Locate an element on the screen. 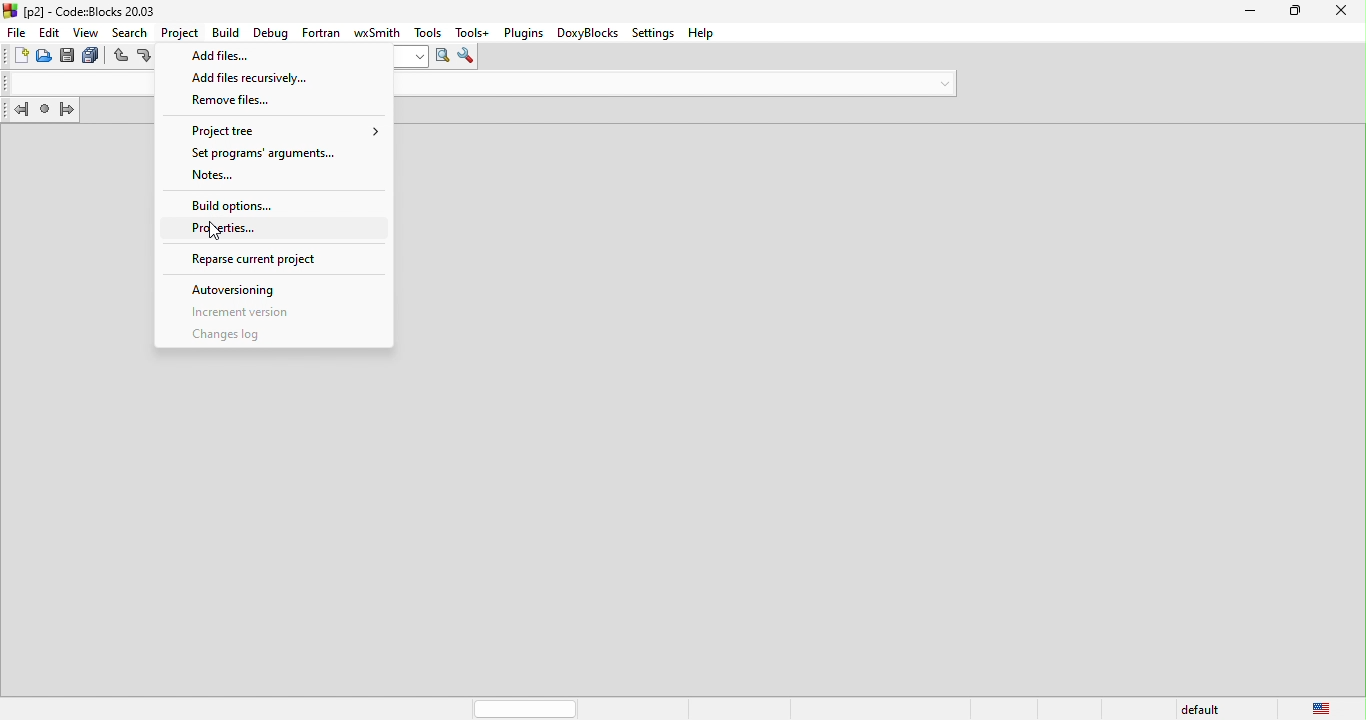 Image resolution: width=1366 pixels, height=720 pixels. open is located at coordinates (46, 57).